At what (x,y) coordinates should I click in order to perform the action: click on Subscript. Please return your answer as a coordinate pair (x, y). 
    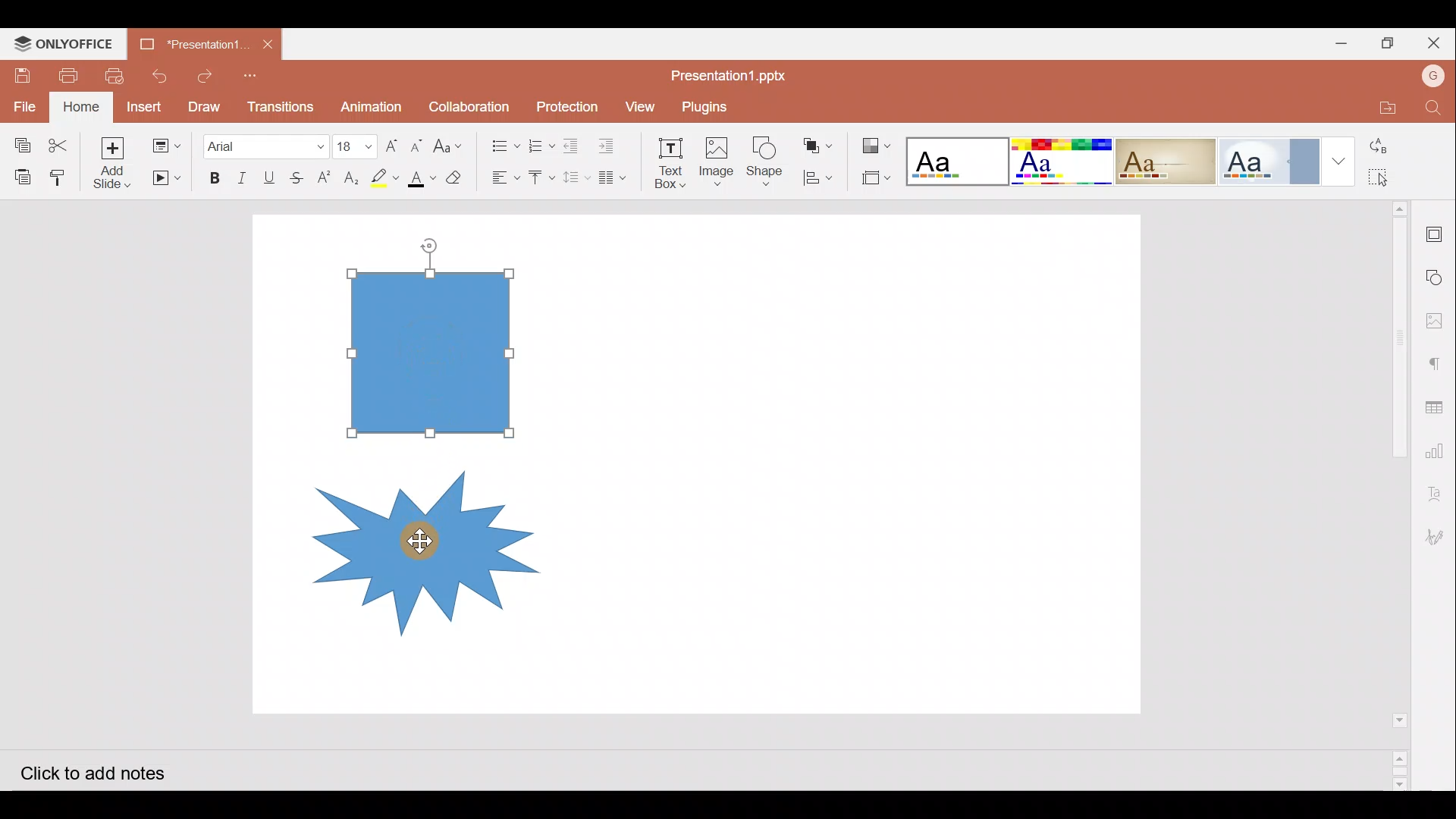
    Looking at the image, I should click on (350, 175).